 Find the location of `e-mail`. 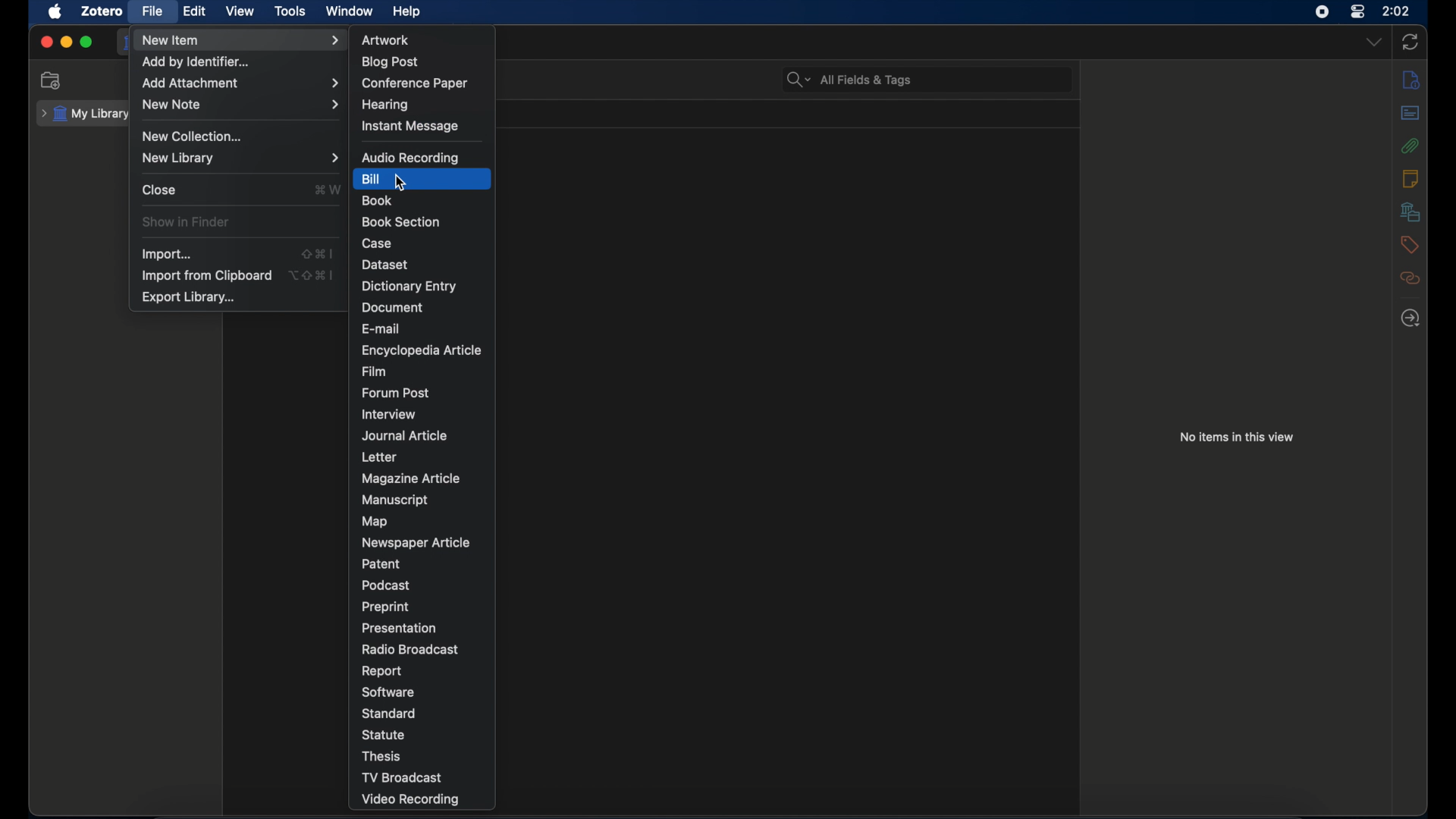

e-mail is located at coordinates (379, 328).